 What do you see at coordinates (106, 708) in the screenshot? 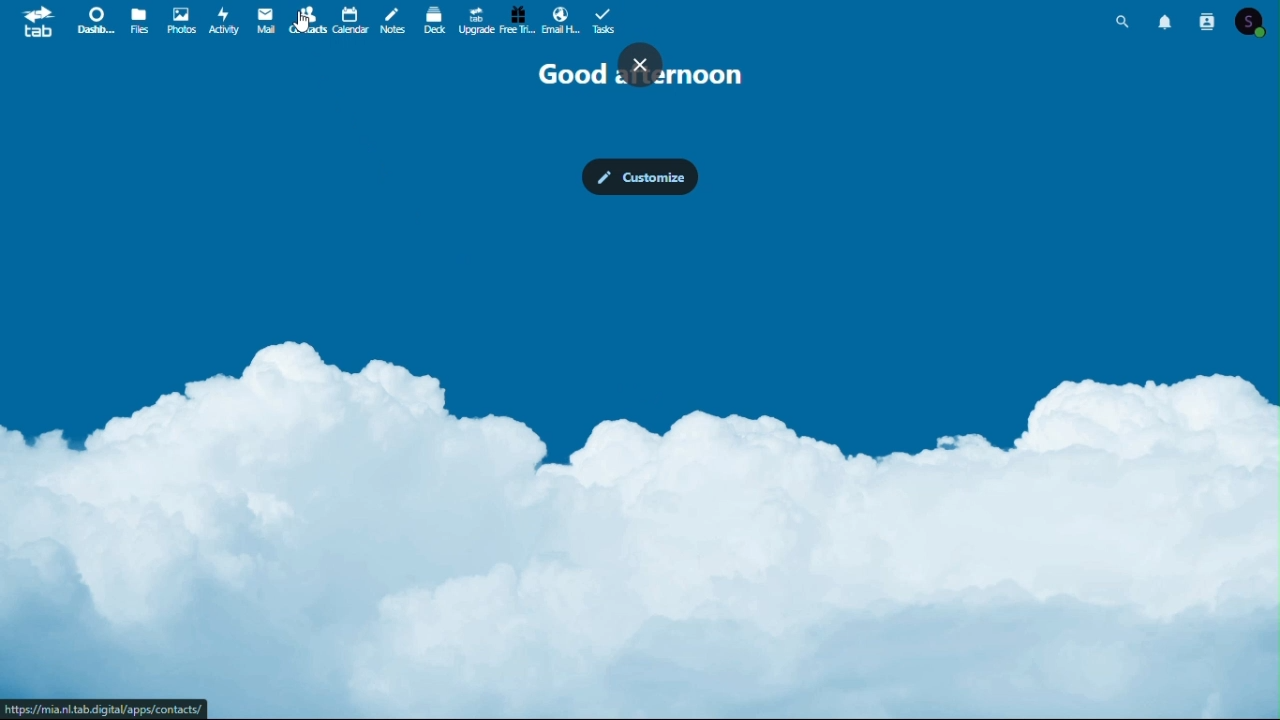
I see `URL` at bounding box center [106, 708].